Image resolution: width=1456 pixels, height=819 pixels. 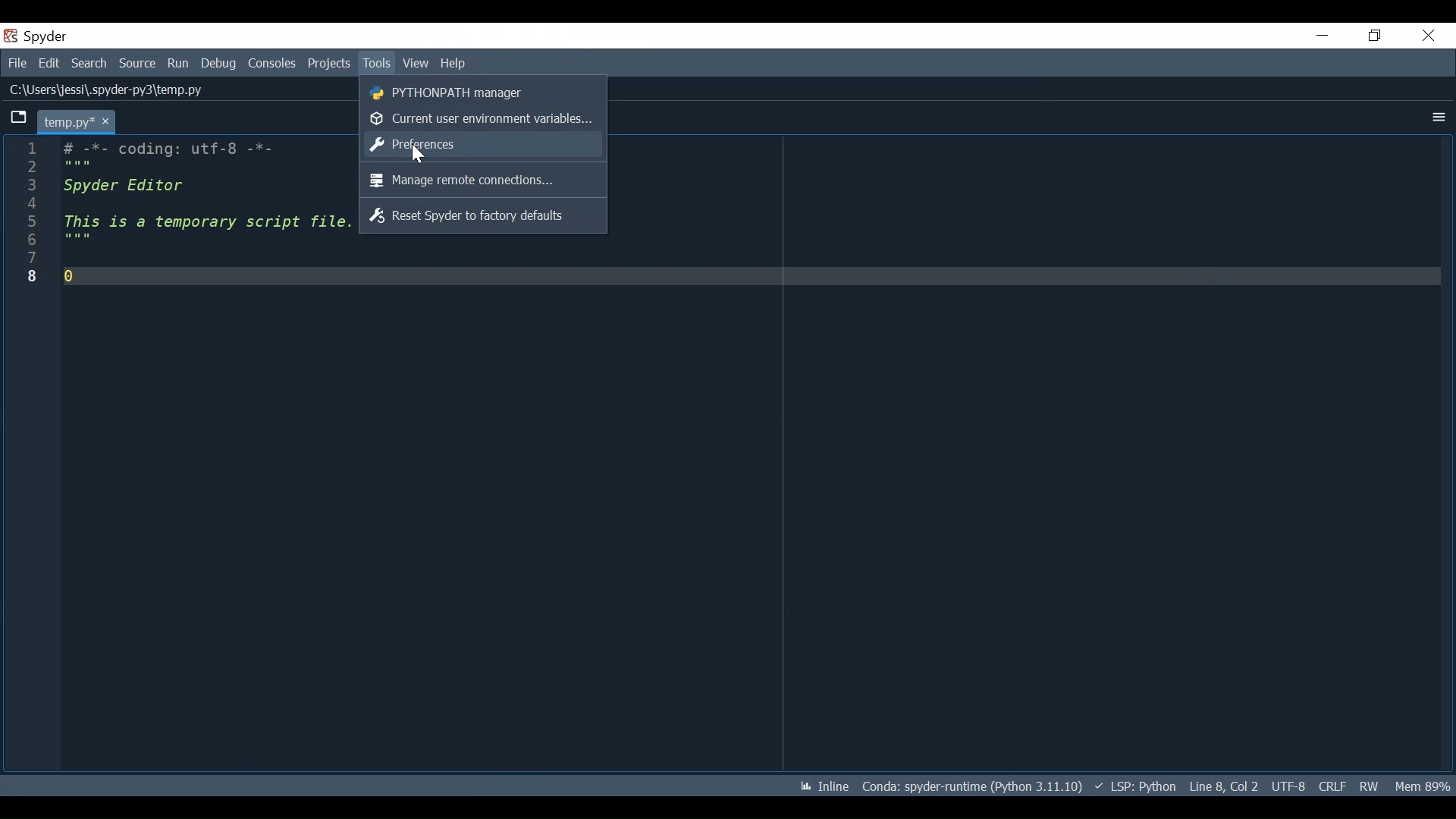 What do you see at coordinates (1287, 786) in the screenshot?
I see `File Encoding` at bounding box center [1287, 786].